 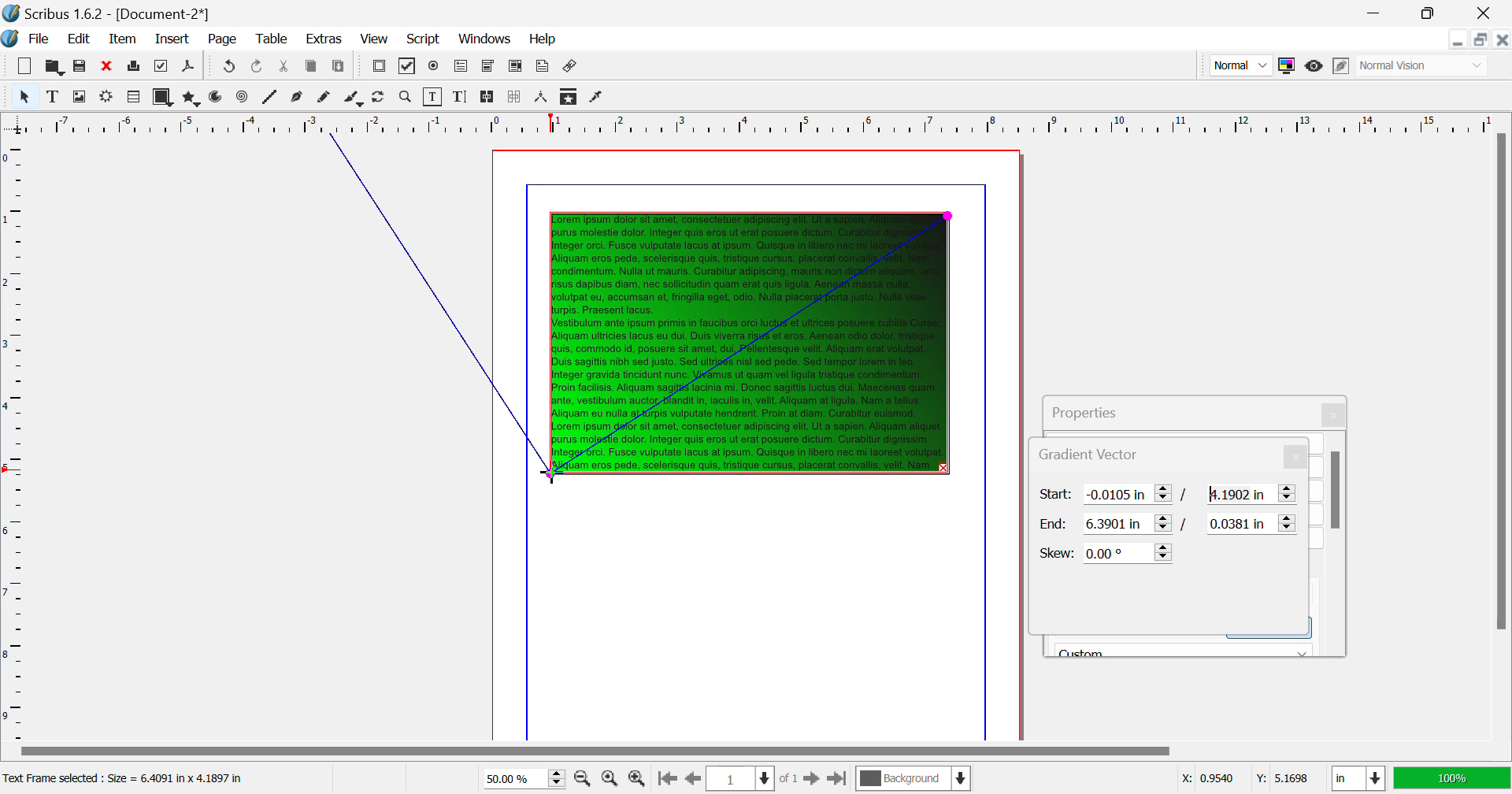 I want to click on Preview Mode, so click(x=1314, y=68).